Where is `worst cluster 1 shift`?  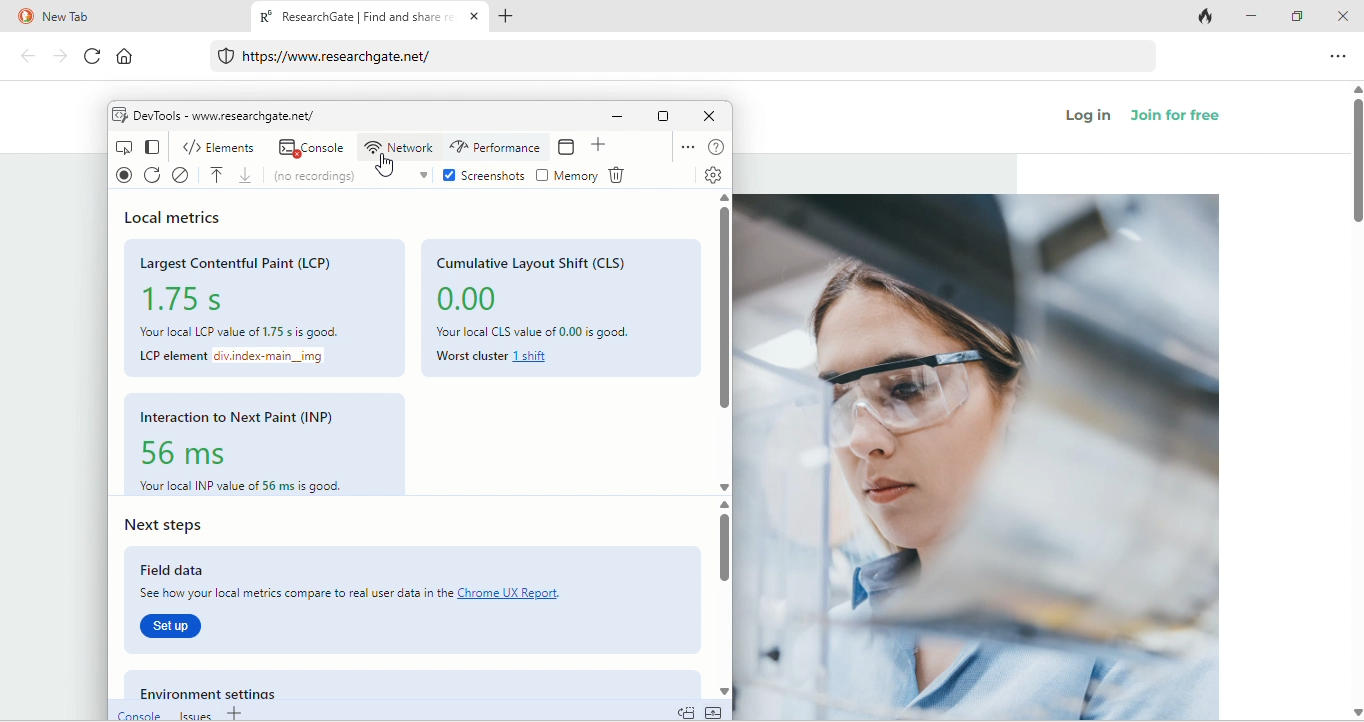 worst cluster 1 shift is located at coordinates (503, 354).